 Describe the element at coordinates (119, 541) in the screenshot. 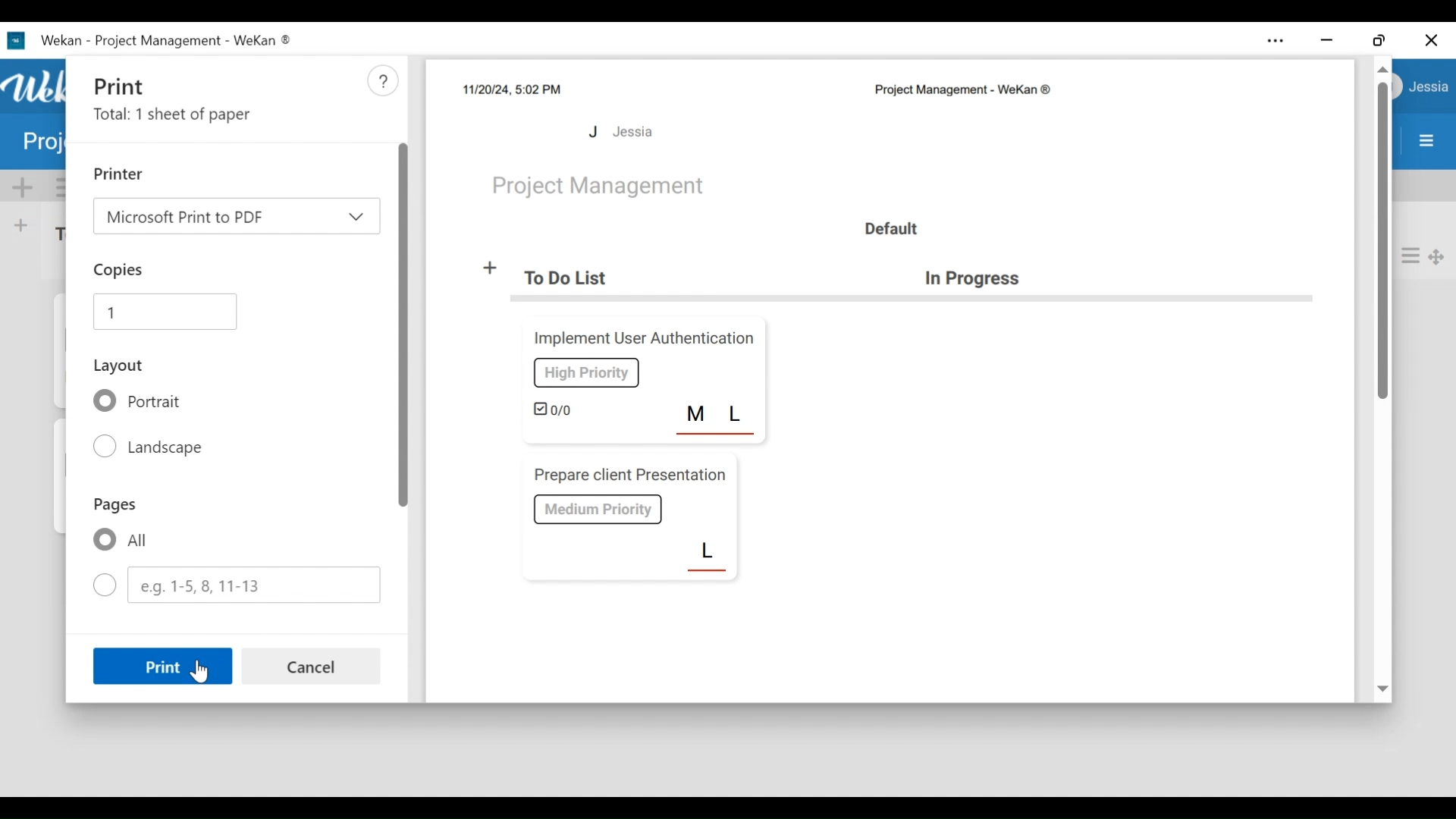

I see `All` at that location.